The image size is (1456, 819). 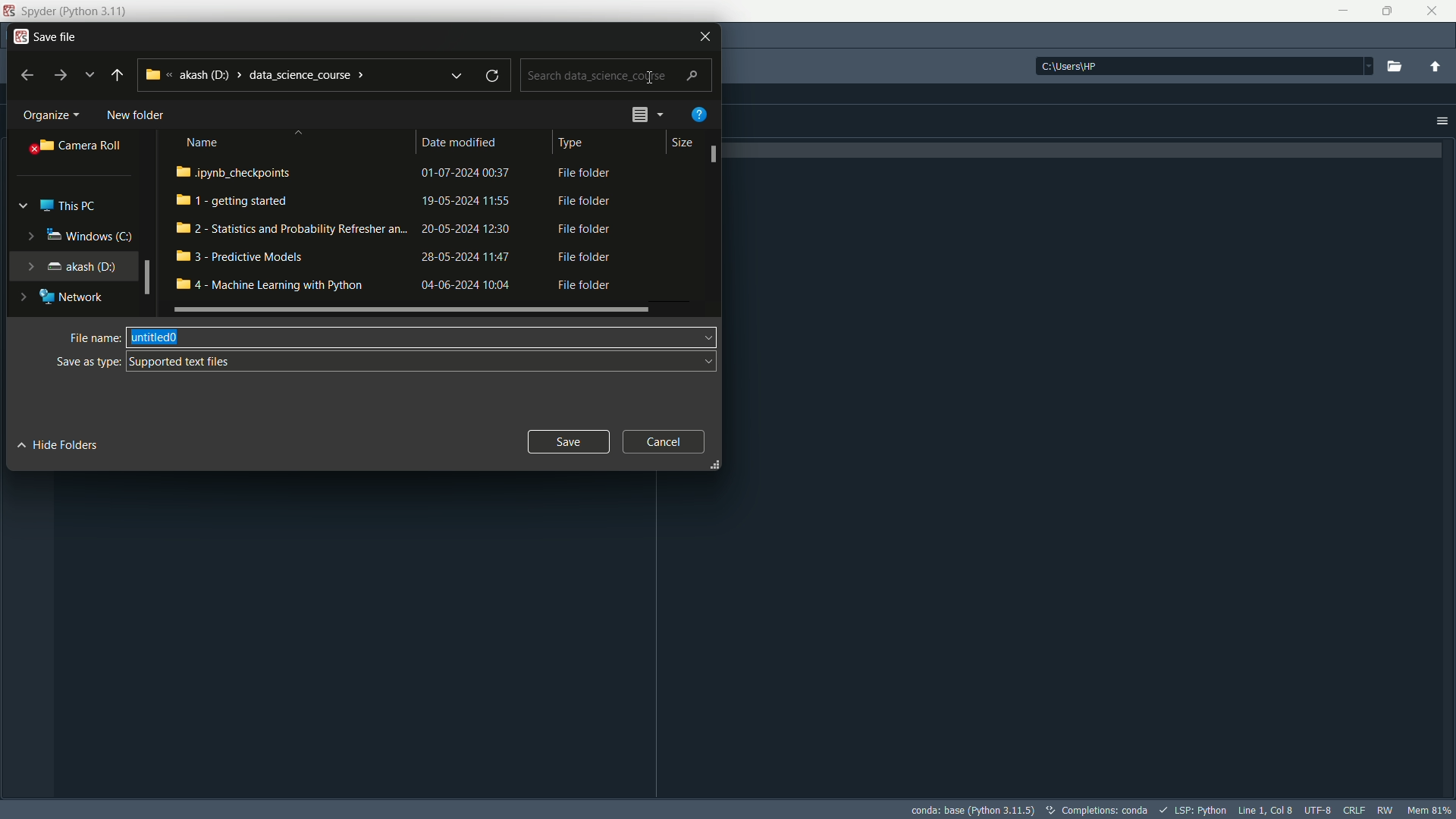 What do you see at coordinates (1390, 65) in the screenshot?
I see `browse working directory` at bounding box center [1390, 65].